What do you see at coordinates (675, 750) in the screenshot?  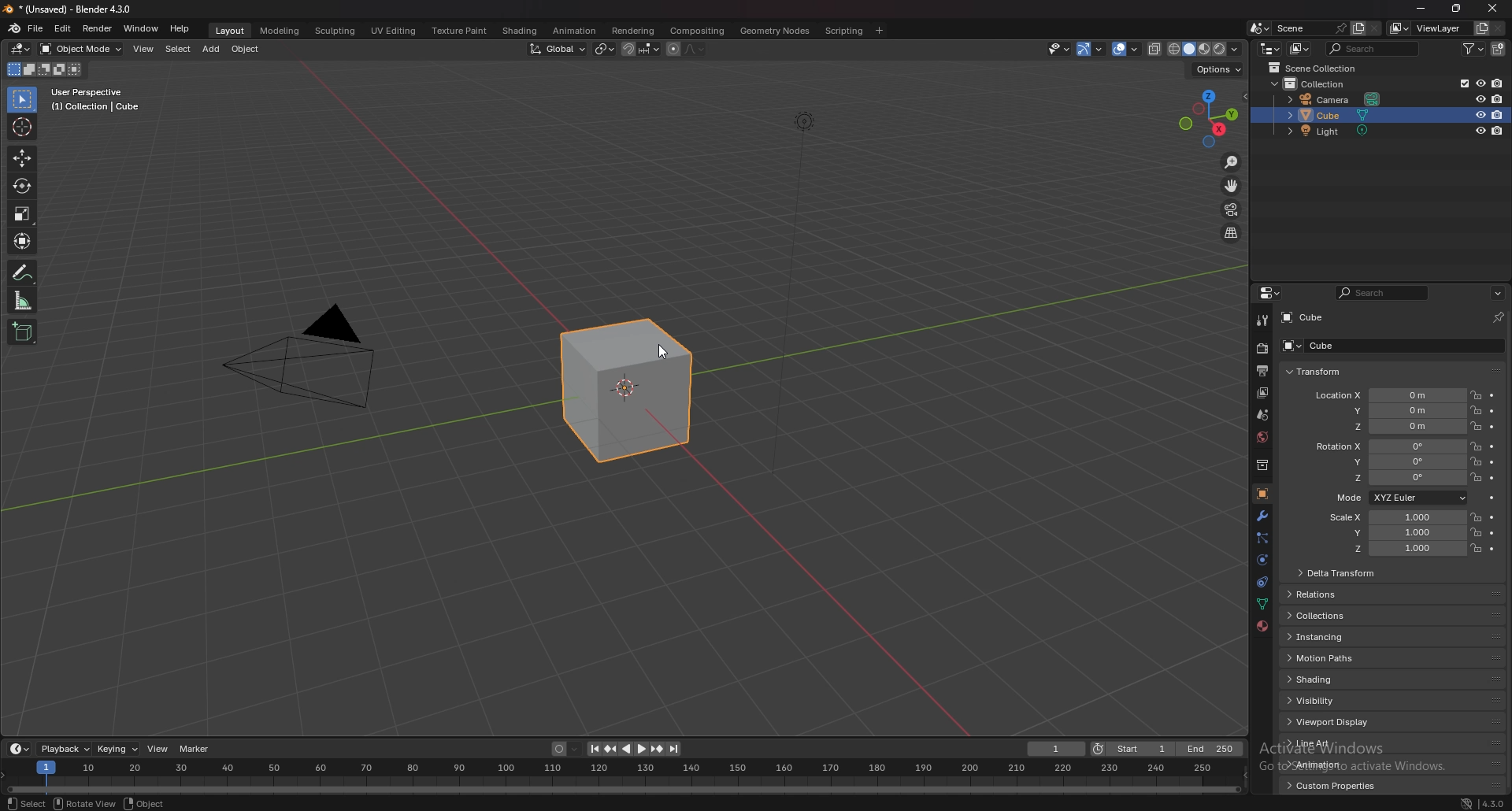 I see `jump to endpoint` at bounding box center [675, 750].